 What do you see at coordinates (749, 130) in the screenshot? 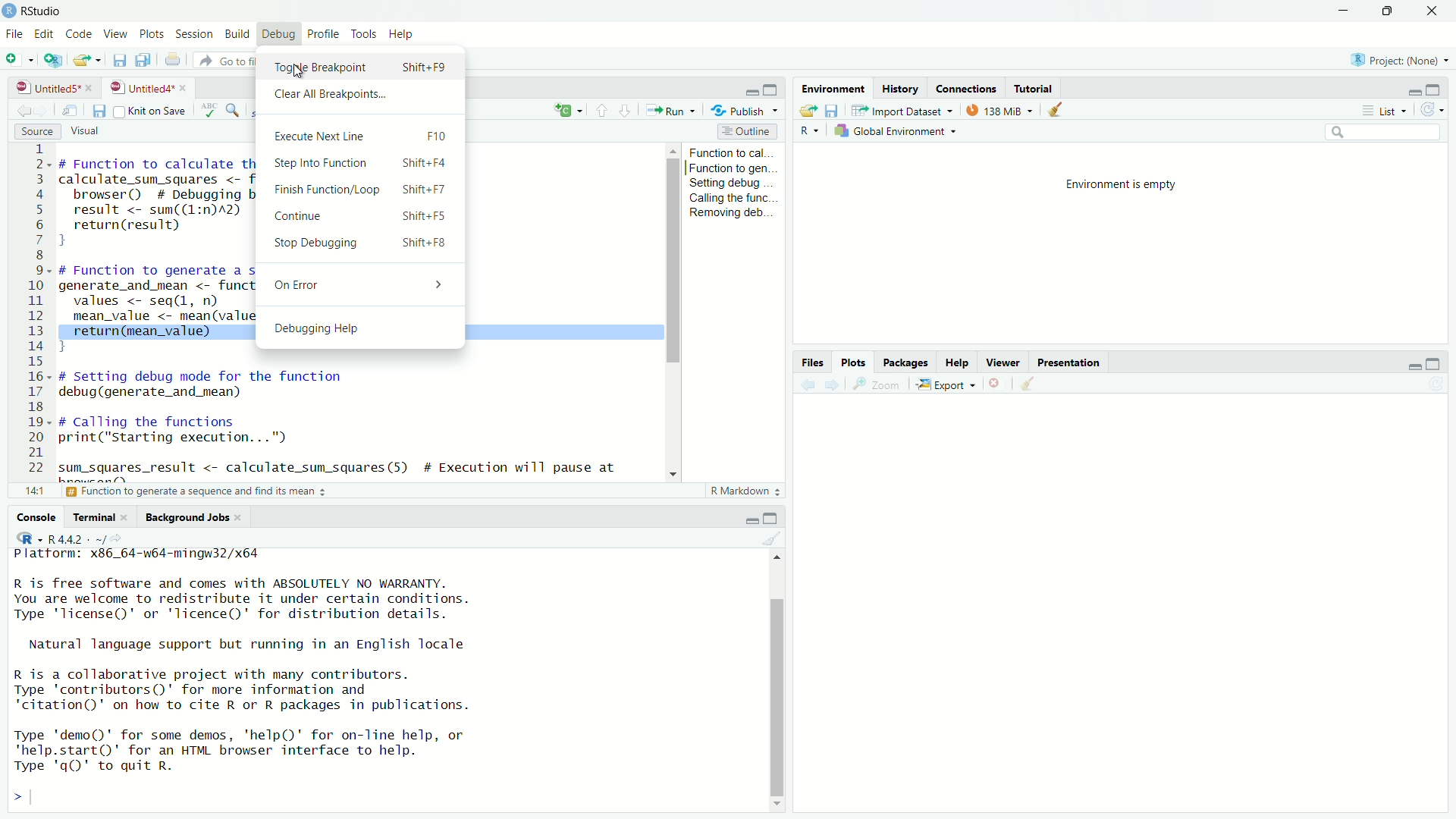
I see `outline` at bounding box center [749, 130].